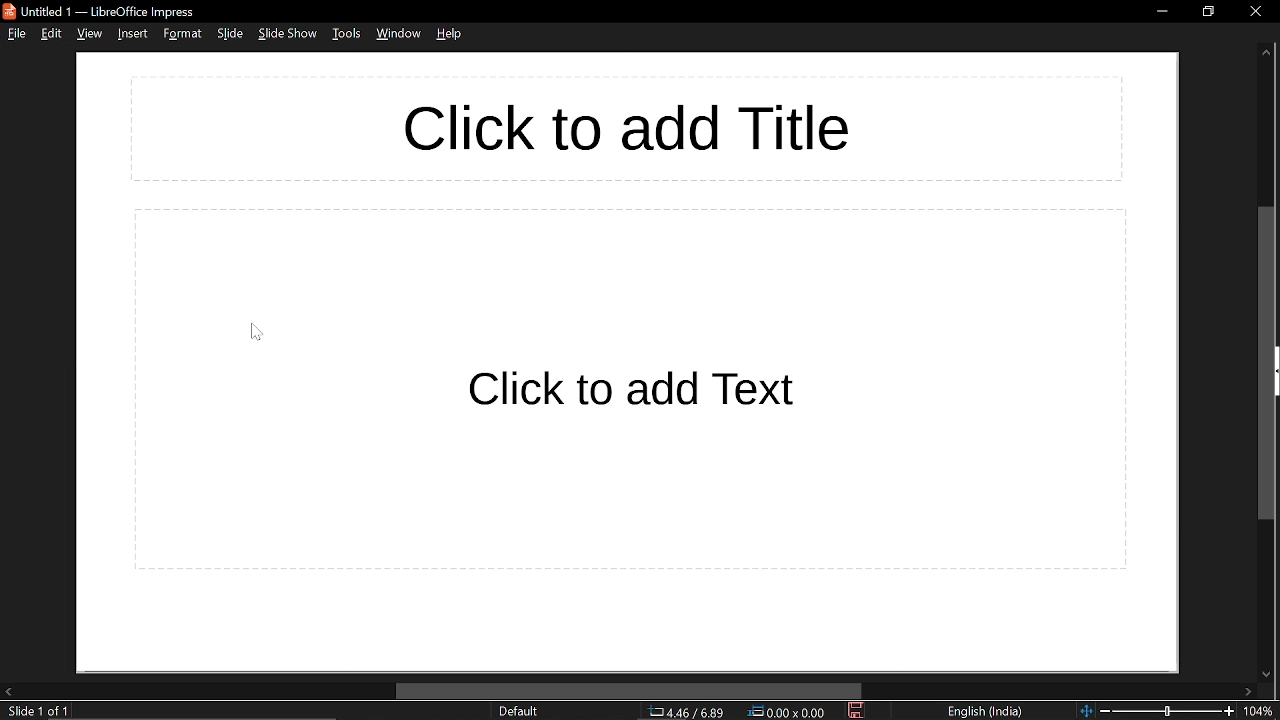 The height and width of the screenshot is (720, 1280). I want to click on Space for title, so click(634, 126).